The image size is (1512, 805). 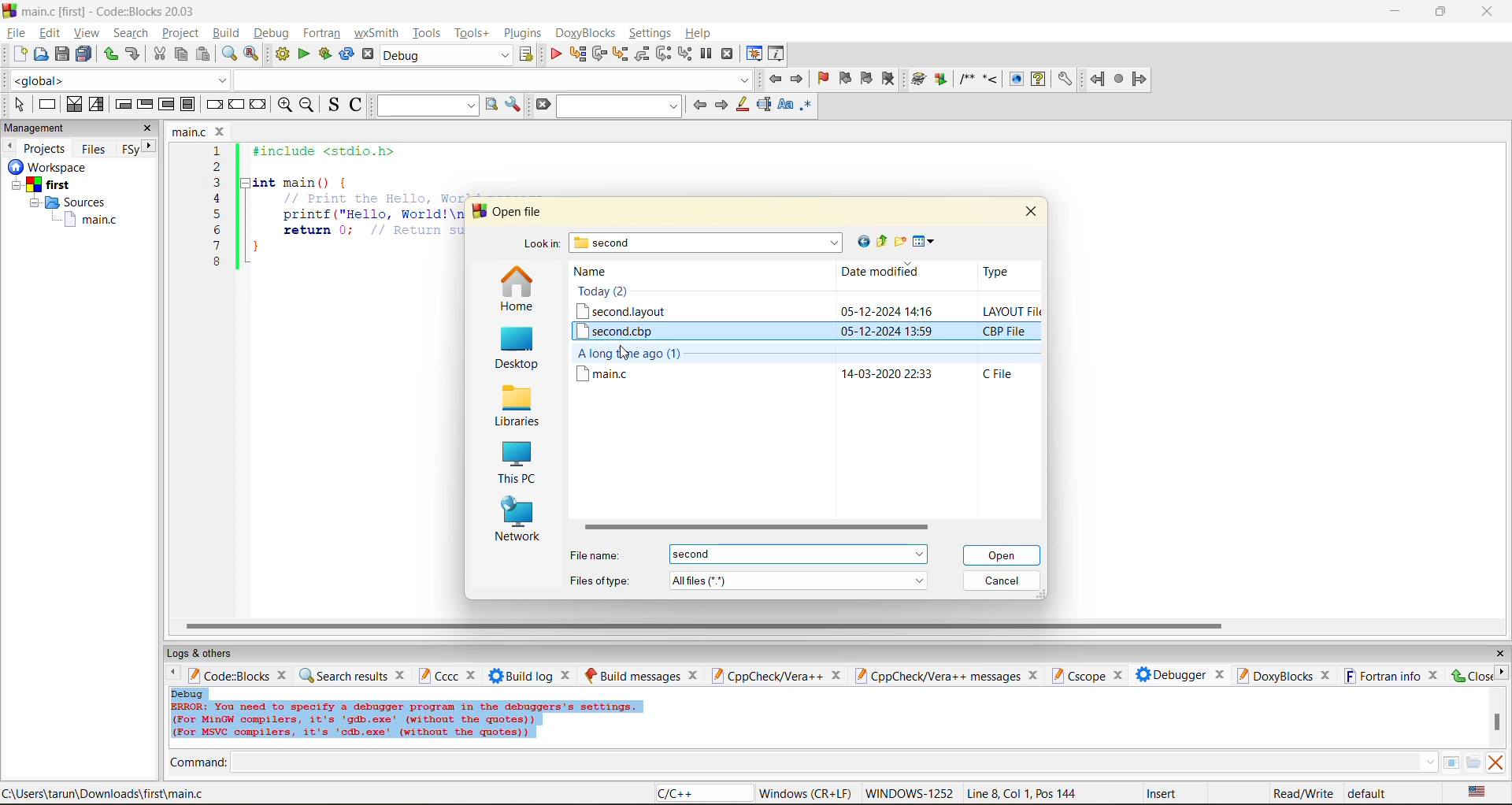 I want to click on run, so click(x=304, y=54).